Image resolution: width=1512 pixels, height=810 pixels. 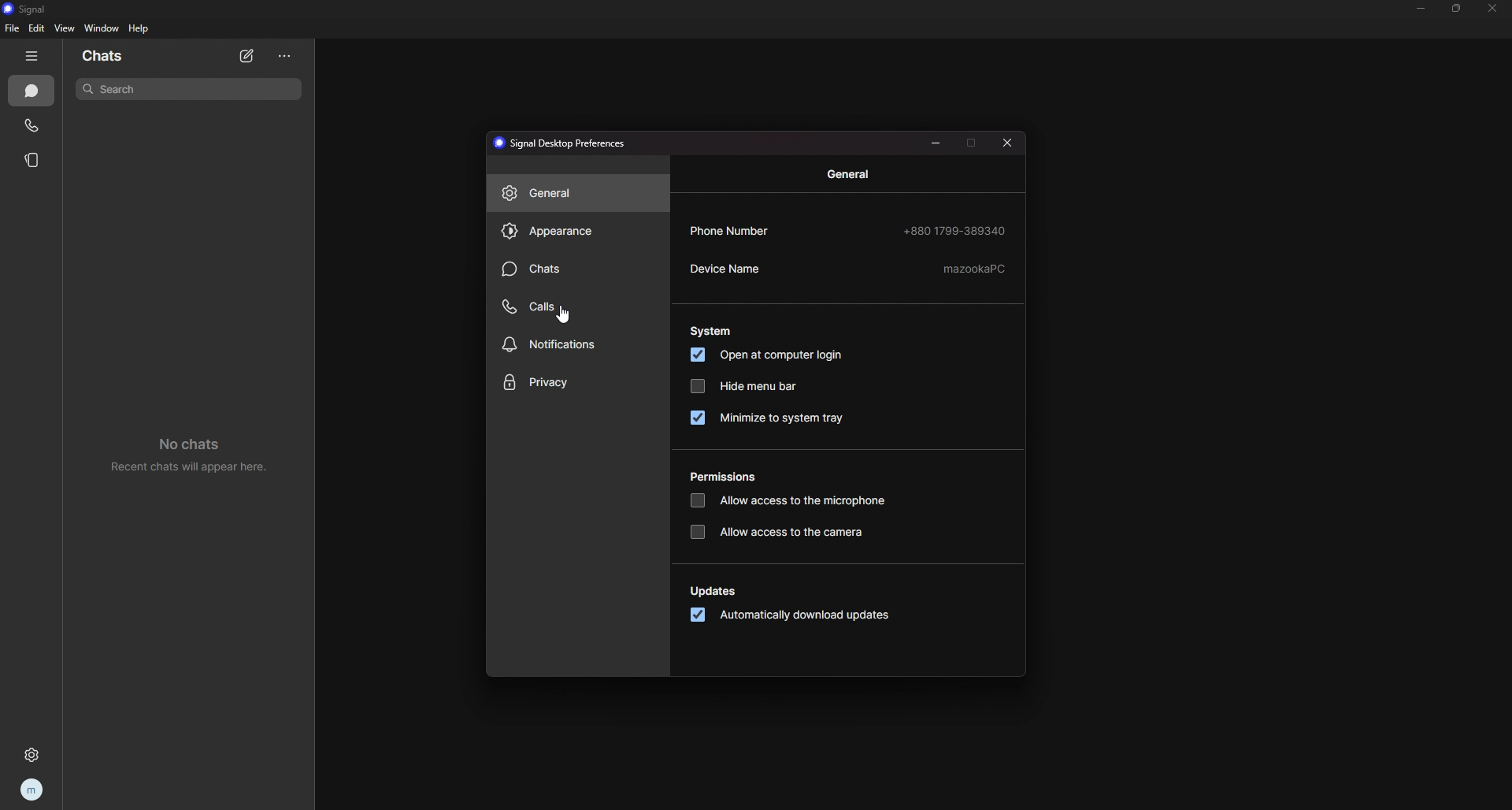 What do you see at coordinates (564, 143) in the screenshot?
I see `preferences` at bounding box center [564, 143].